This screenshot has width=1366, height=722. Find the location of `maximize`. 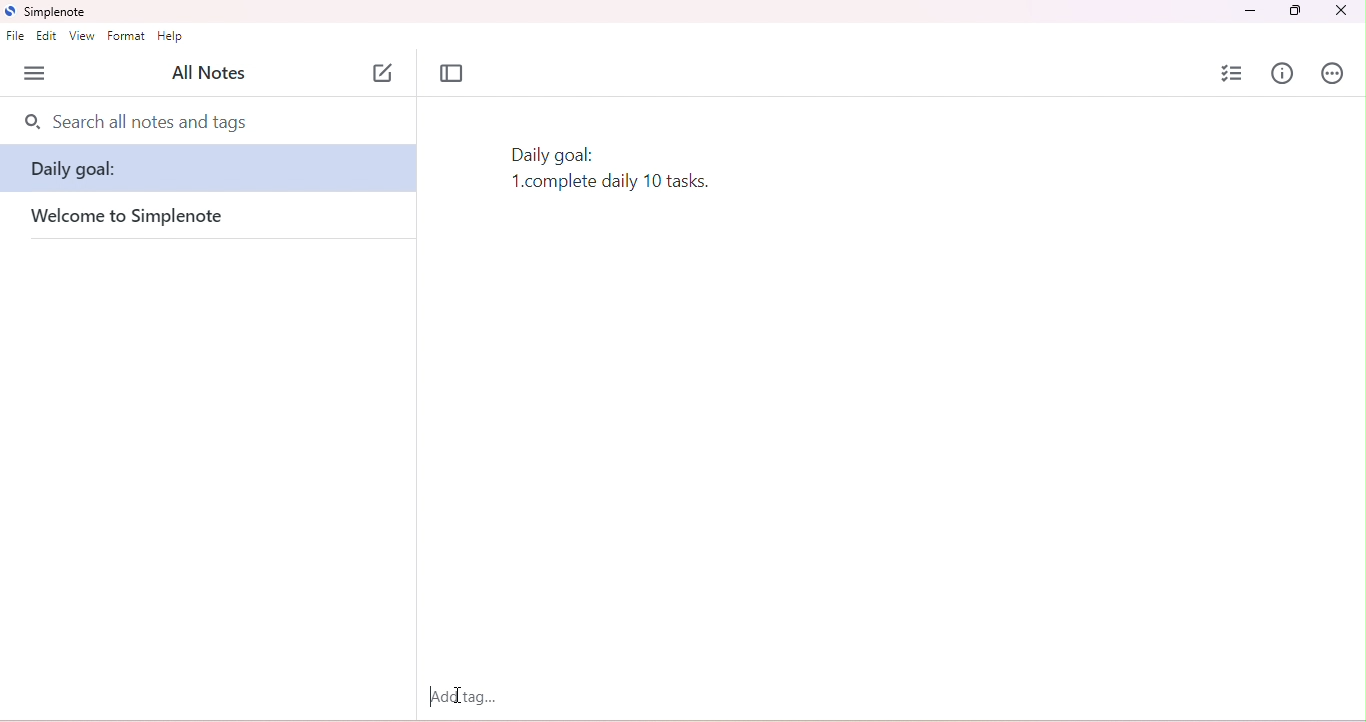

maximize is located at coordinates (1296, 11).